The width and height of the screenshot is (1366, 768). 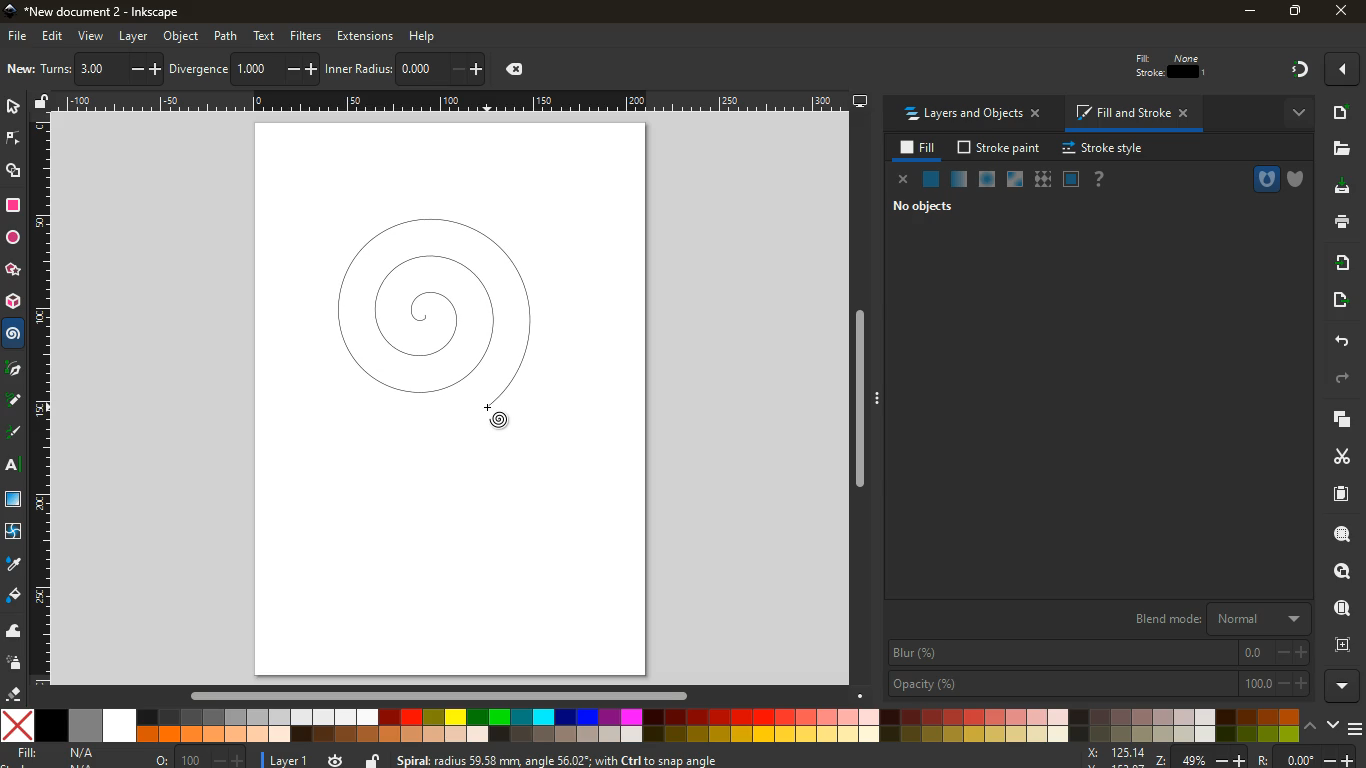 What do you see at coordinates (959, 180) in the screenshot?
I see `opacity` at bounding box center [959, 180].